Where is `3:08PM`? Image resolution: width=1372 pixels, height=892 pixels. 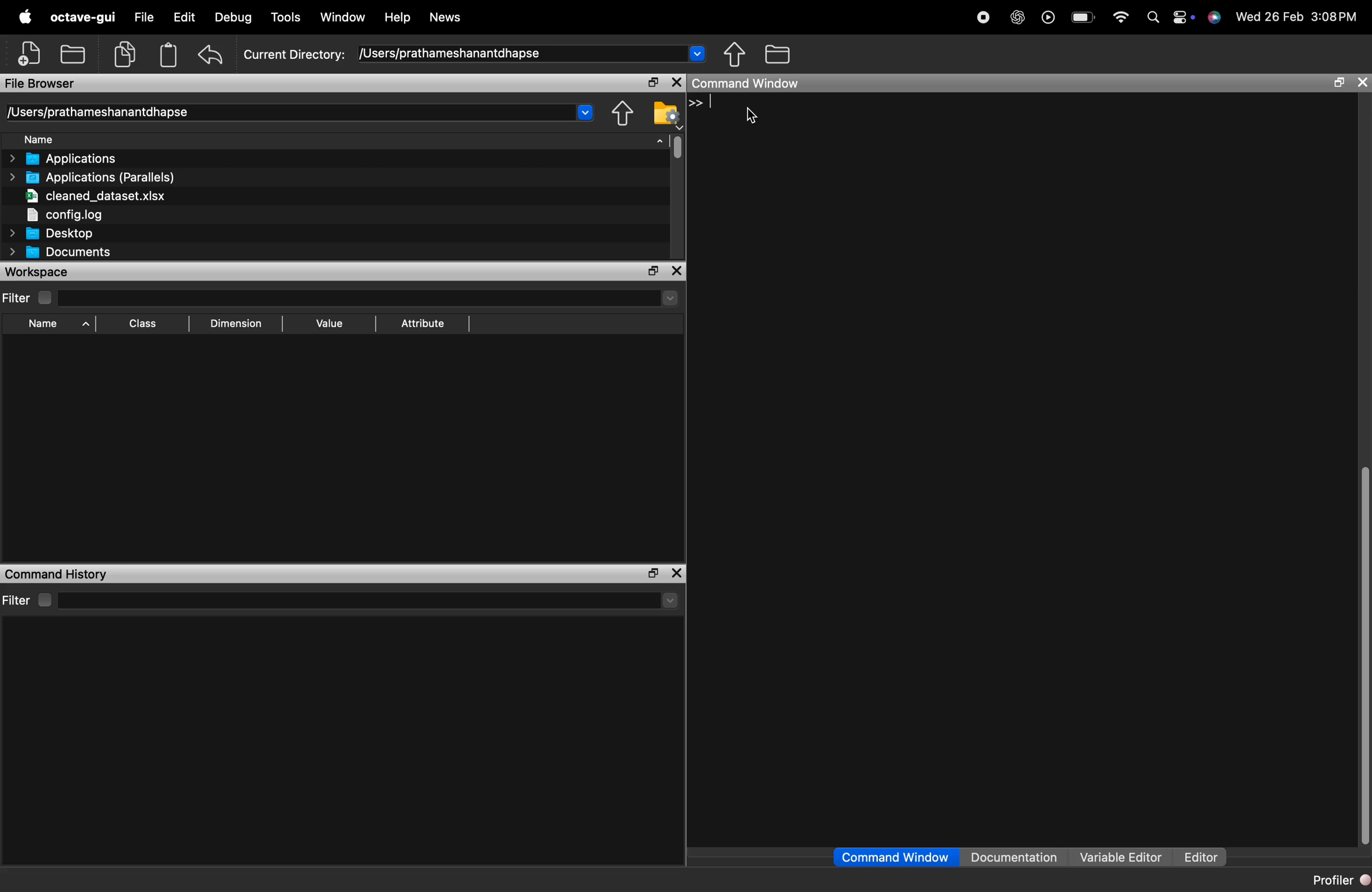
3:08PM is located at coordinates (1333, 17).